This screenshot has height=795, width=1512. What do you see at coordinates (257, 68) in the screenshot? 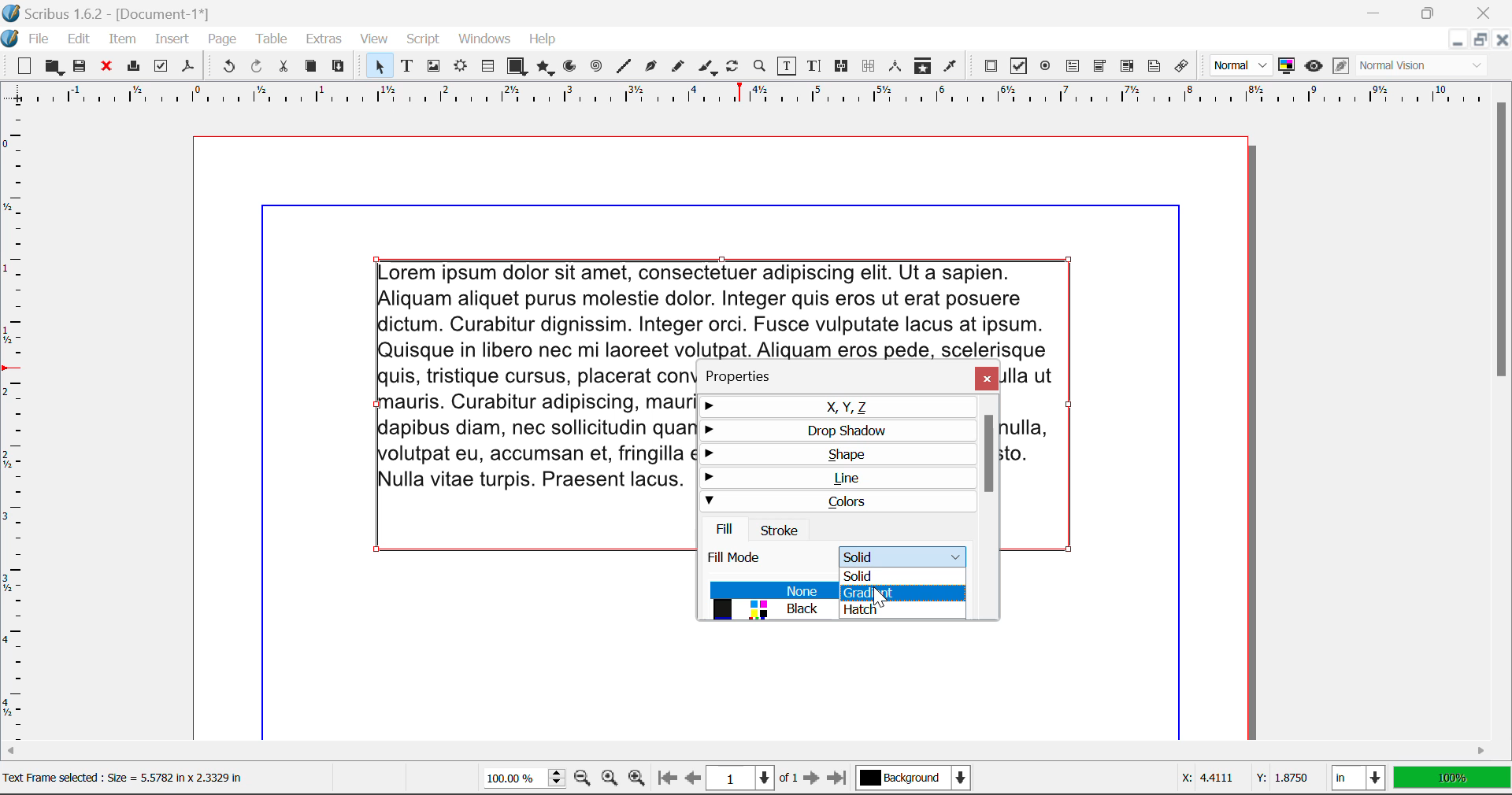
I see `Redo` at bounding box center [257, 68].